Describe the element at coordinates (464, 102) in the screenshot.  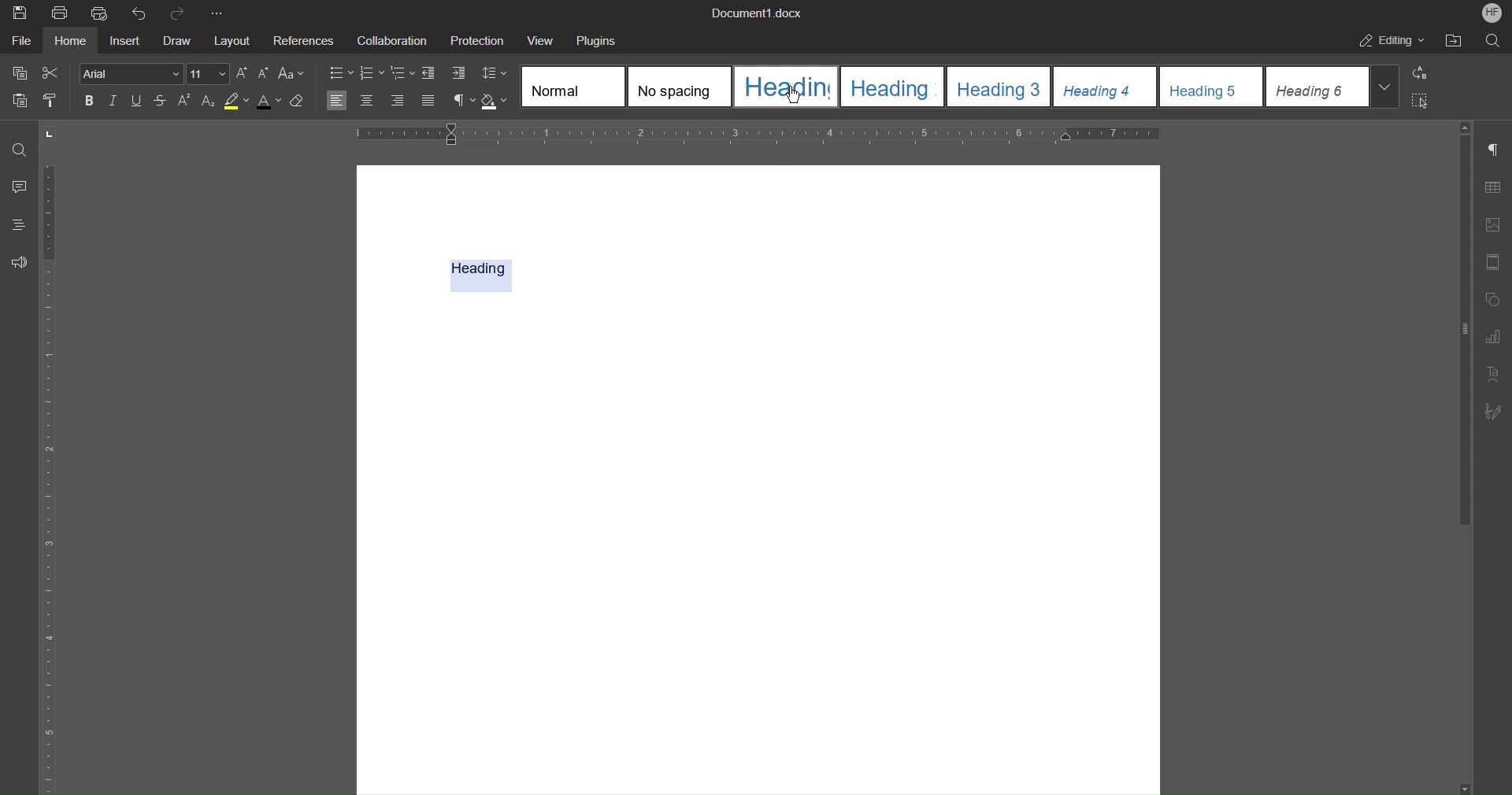
I see `Non-Printing Characters` at that location.